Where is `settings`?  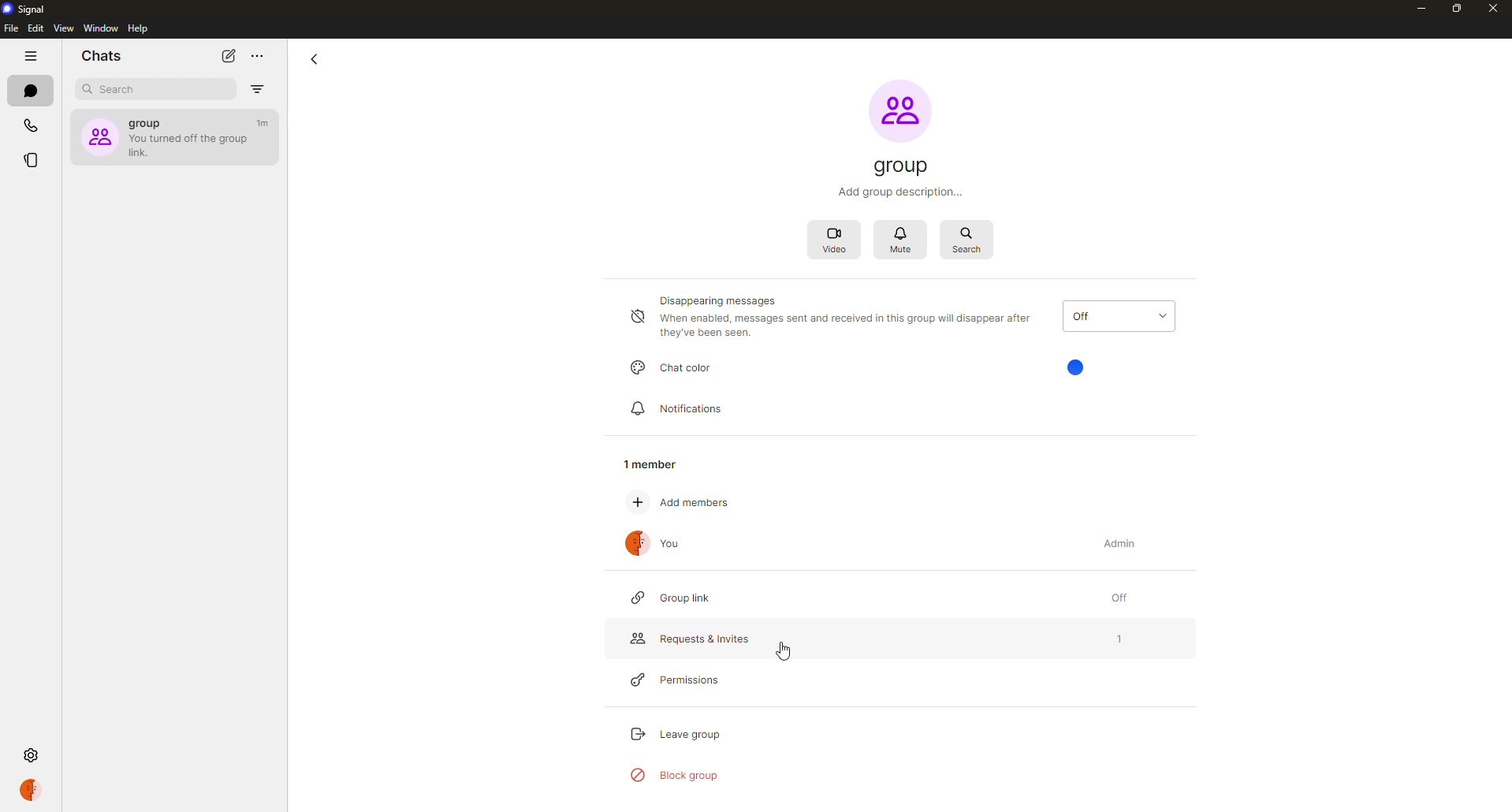
settings is located at coordinates (30, 754).